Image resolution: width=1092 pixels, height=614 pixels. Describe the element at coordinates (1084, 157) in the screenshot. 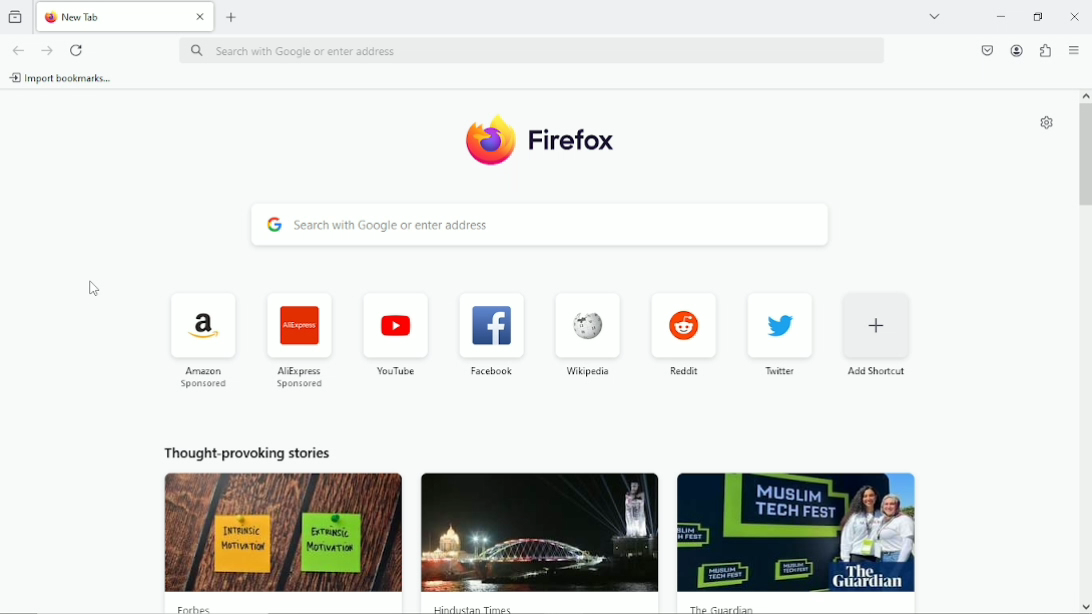

I see `Vertical scrollbar` at that location.